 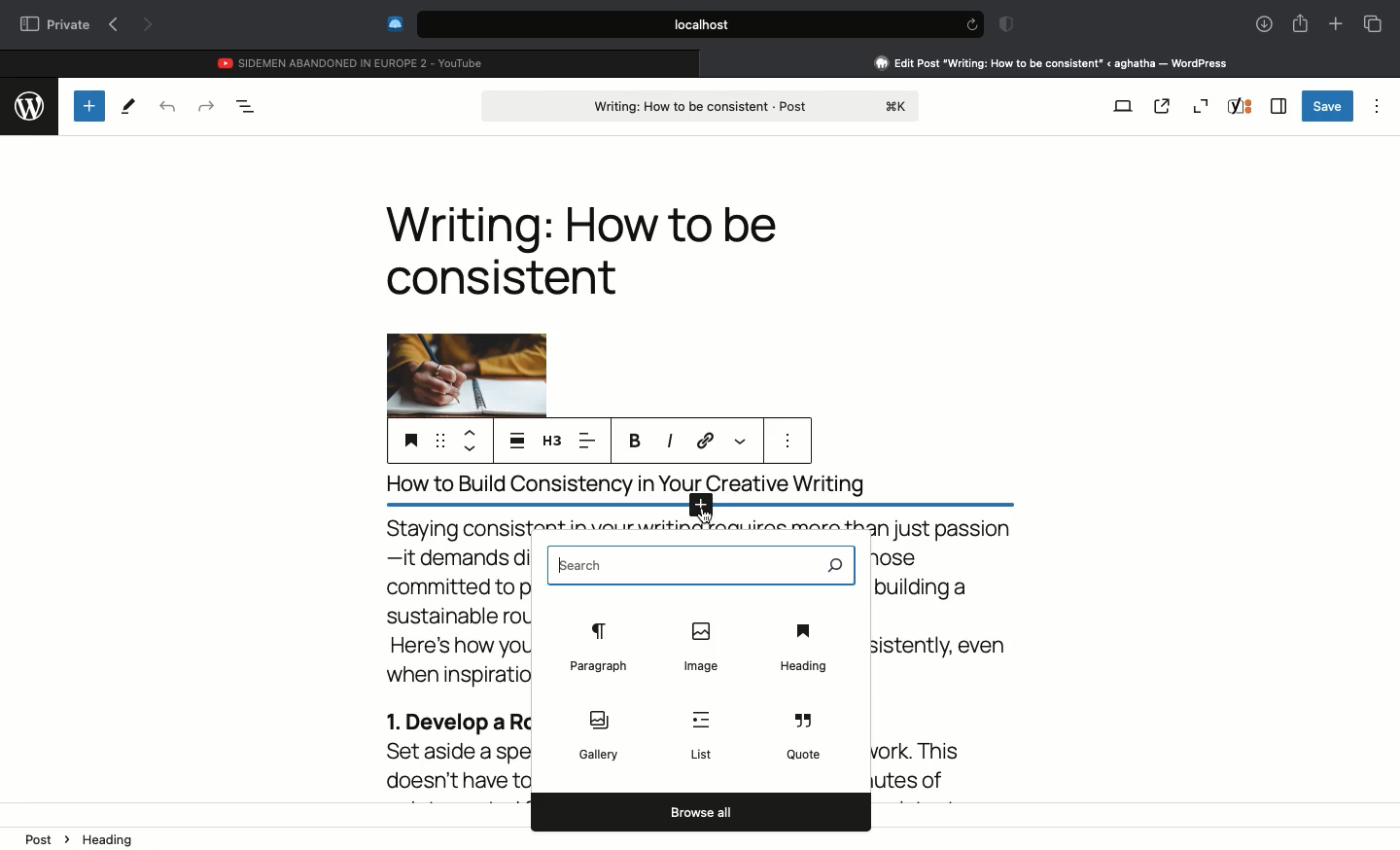 I want to click on Save, so click(x=1328, y=106).